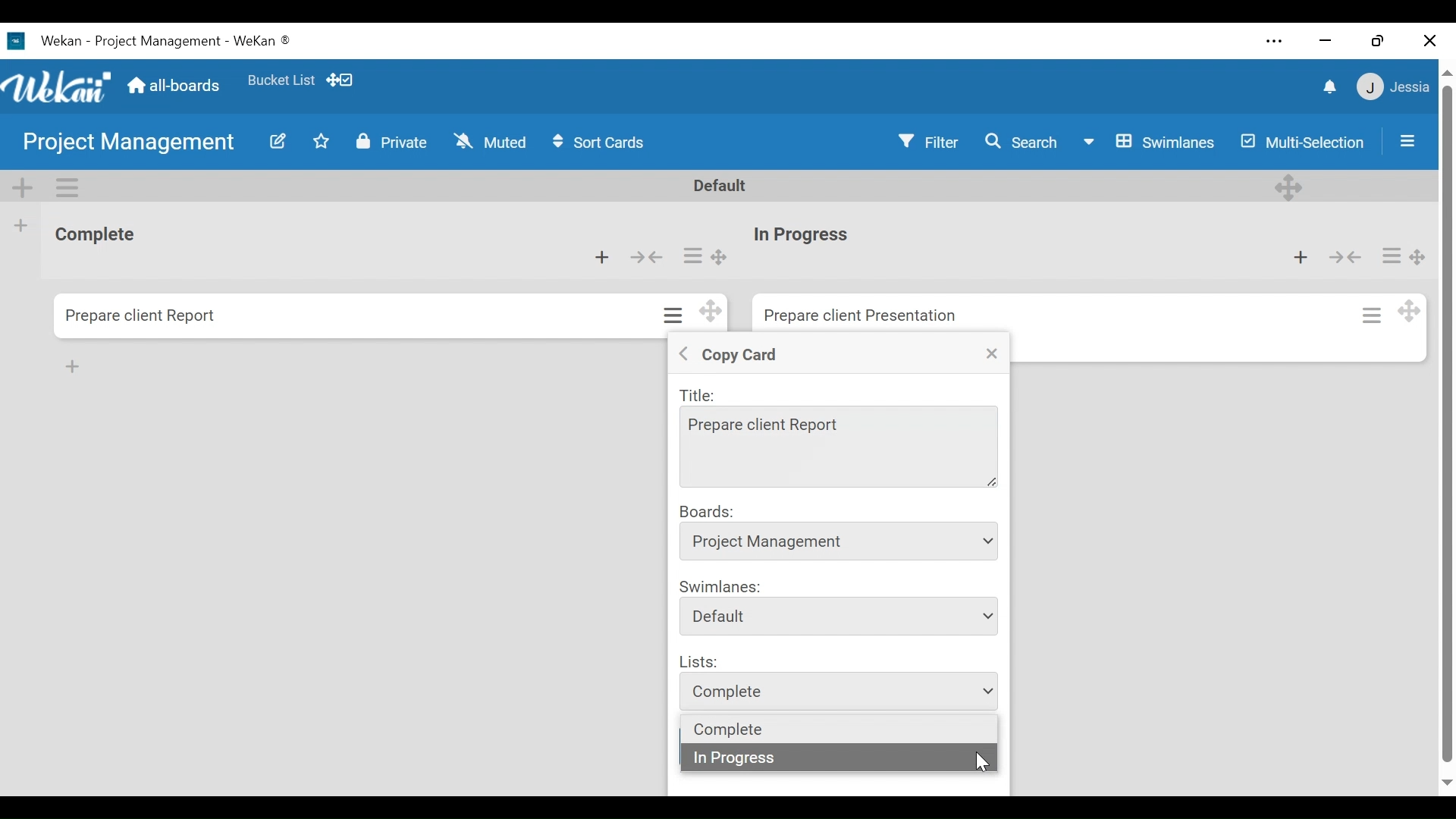 Image resolution: width=1456 pixels, height=819 pixels. I want to click on Desktop drag handles, so click(340, 80).